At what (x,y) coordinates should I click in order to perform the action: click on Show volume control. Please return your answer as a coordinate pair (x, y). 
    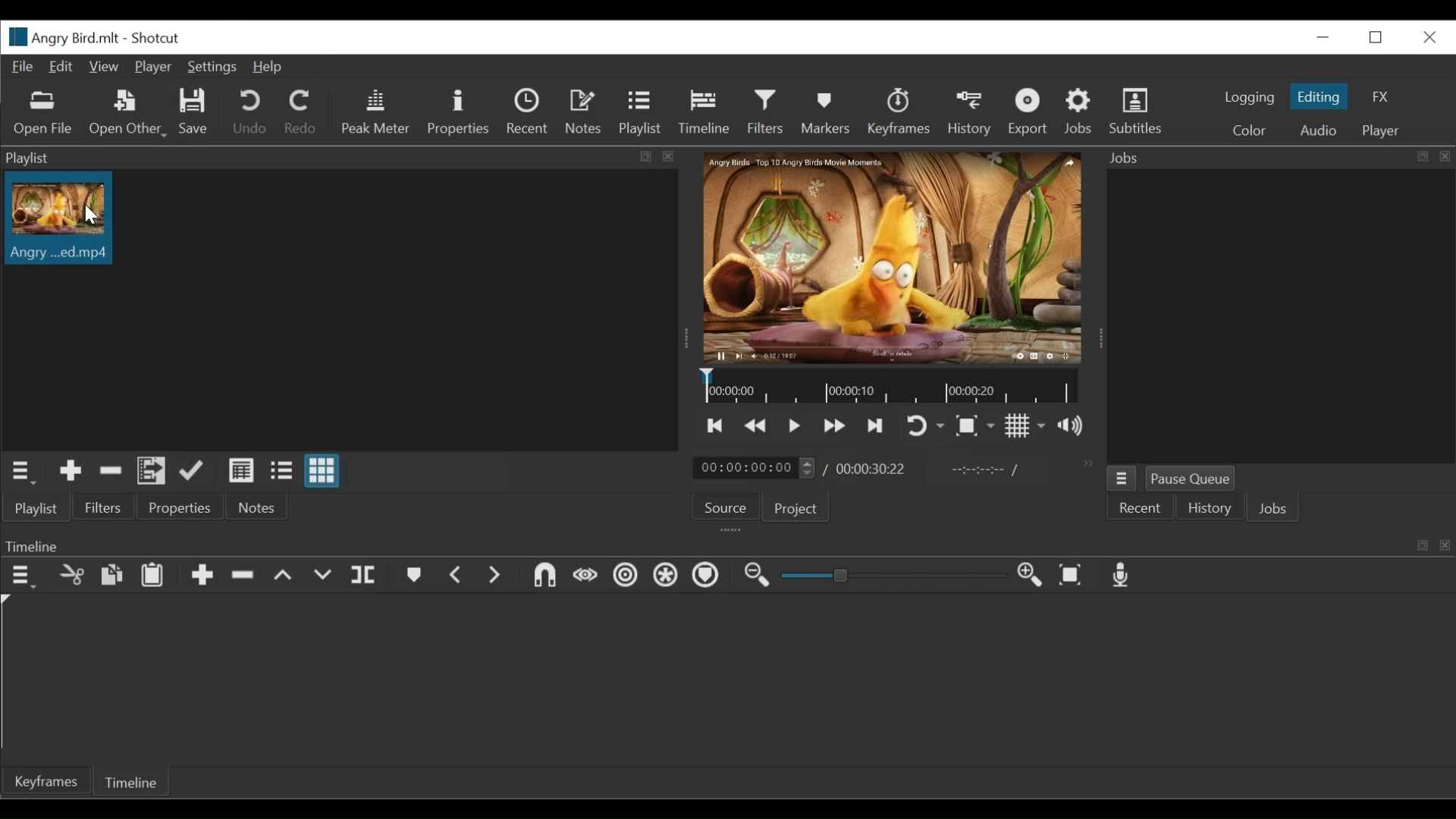
    Looking at the image, I should click on (1068, 424).